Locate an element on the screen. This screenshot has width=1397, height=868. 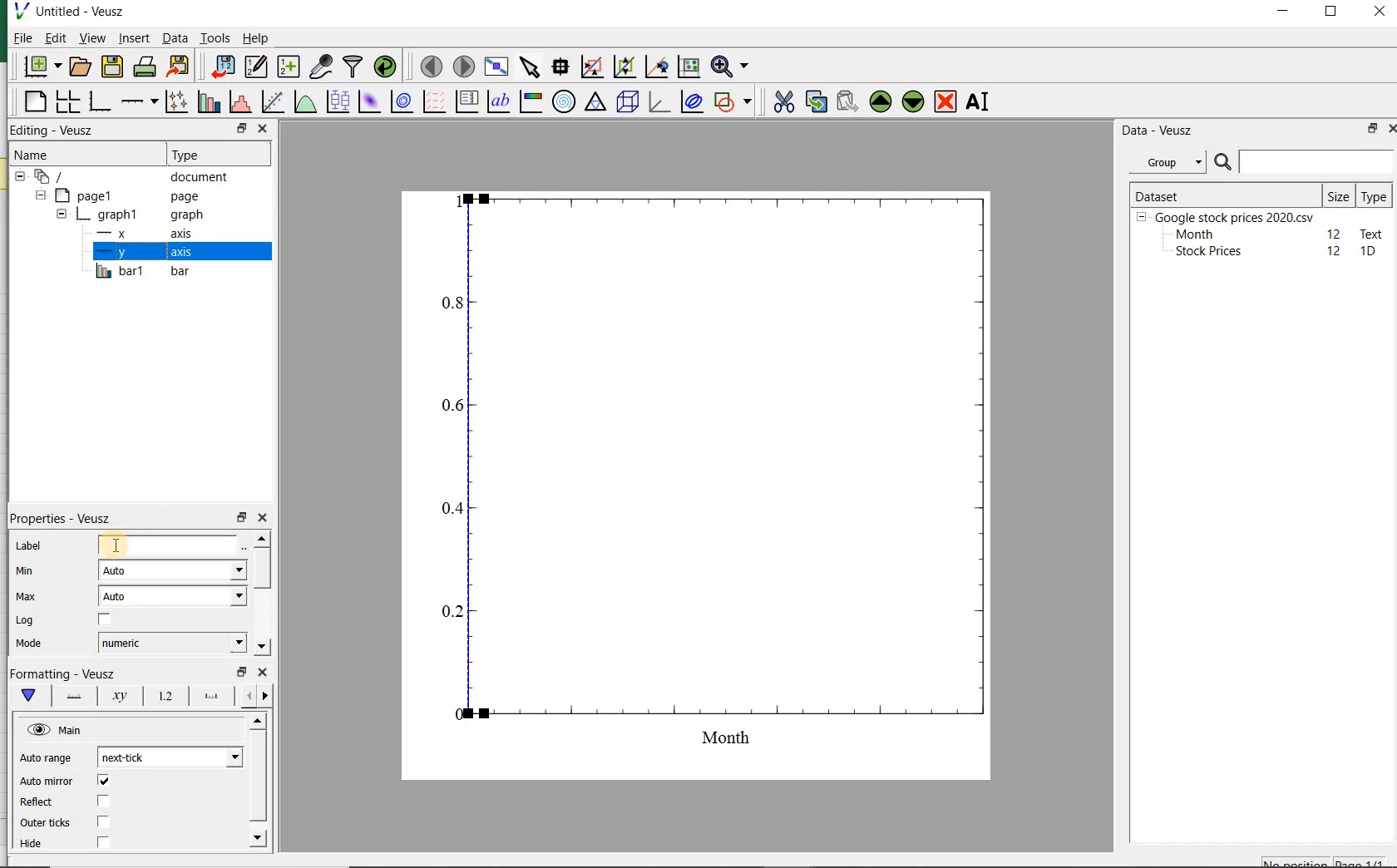
click to zoom out of graph axes is located at coordinates (623, 65).